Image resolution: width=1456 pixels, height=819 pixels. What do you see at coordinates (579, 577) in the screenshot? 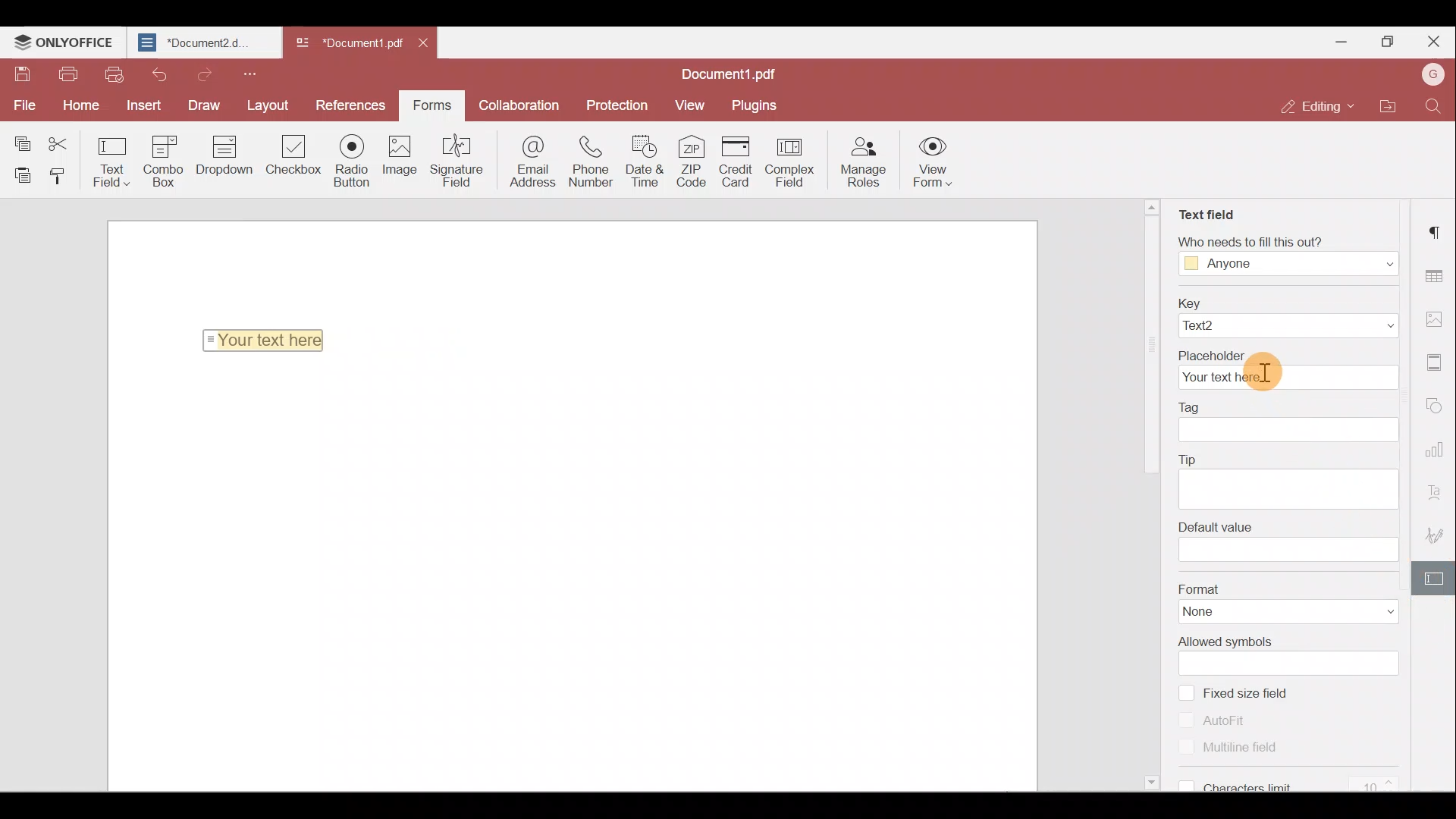
I see `Working area` at bounding box center [579, 577].